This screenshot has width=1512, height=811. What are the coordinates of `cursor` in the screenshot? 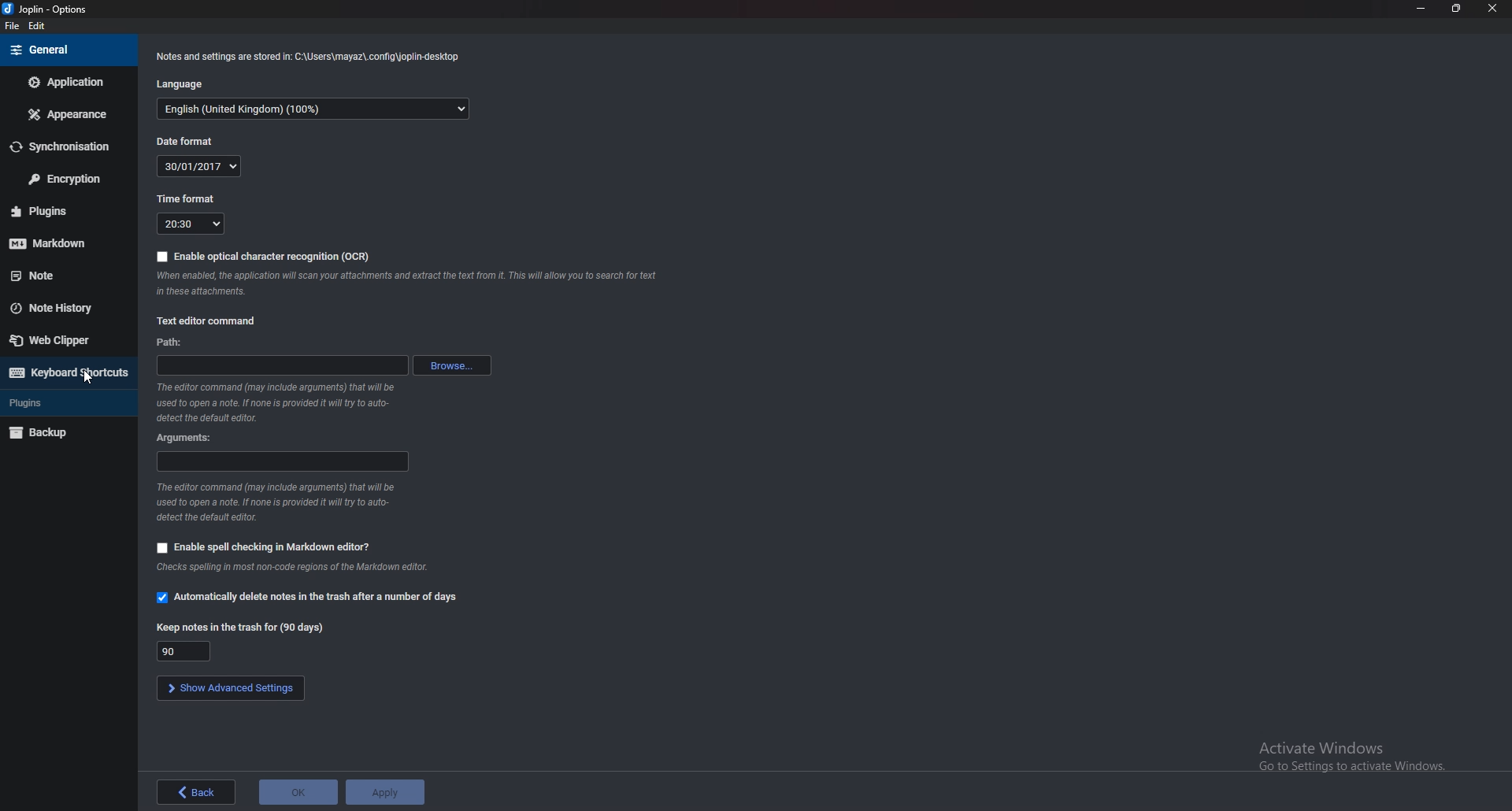 It's located at (87, 379).